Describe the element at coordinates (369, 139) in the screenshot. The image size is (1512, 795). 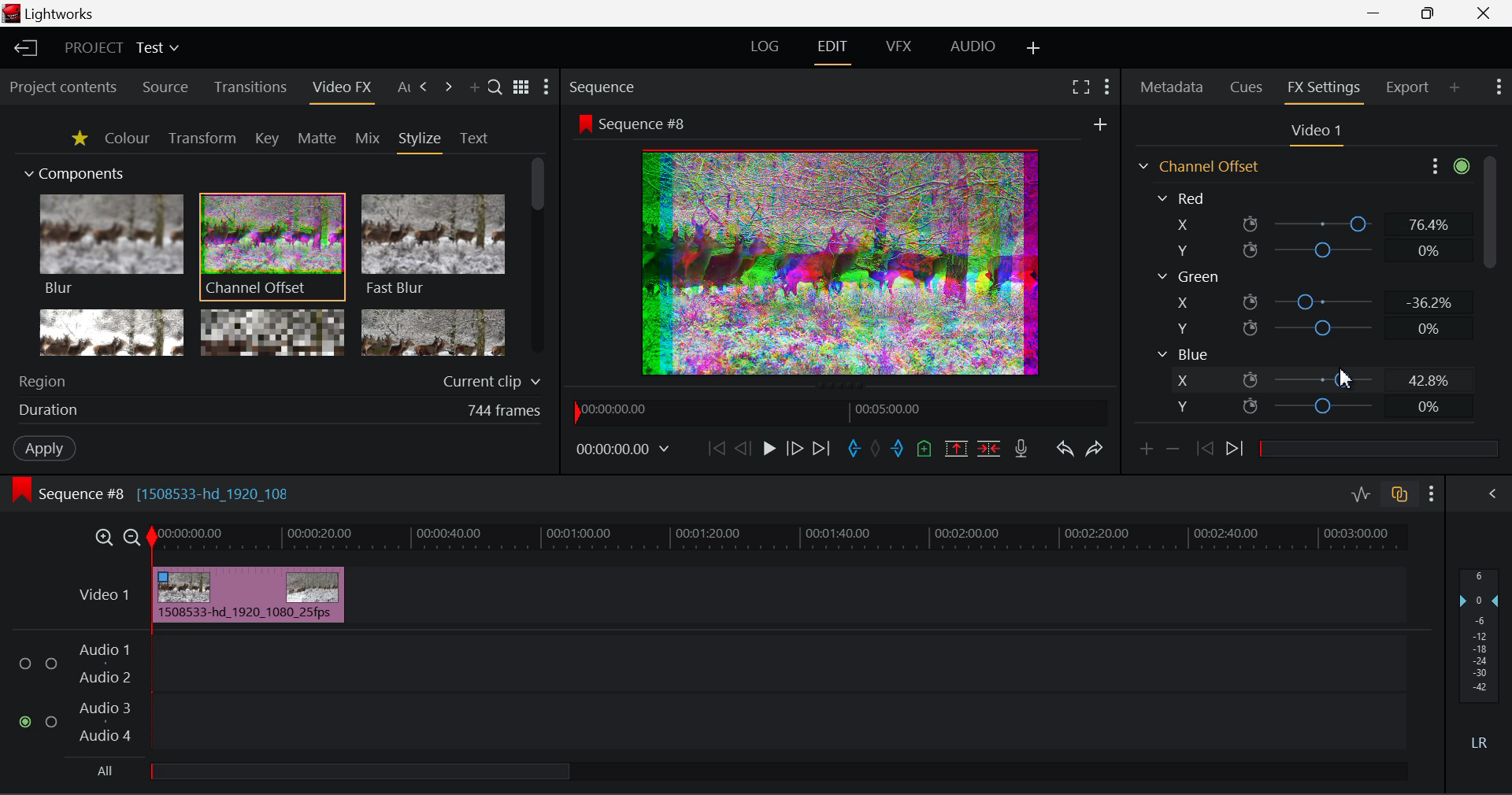
I see `Mix` at that location.